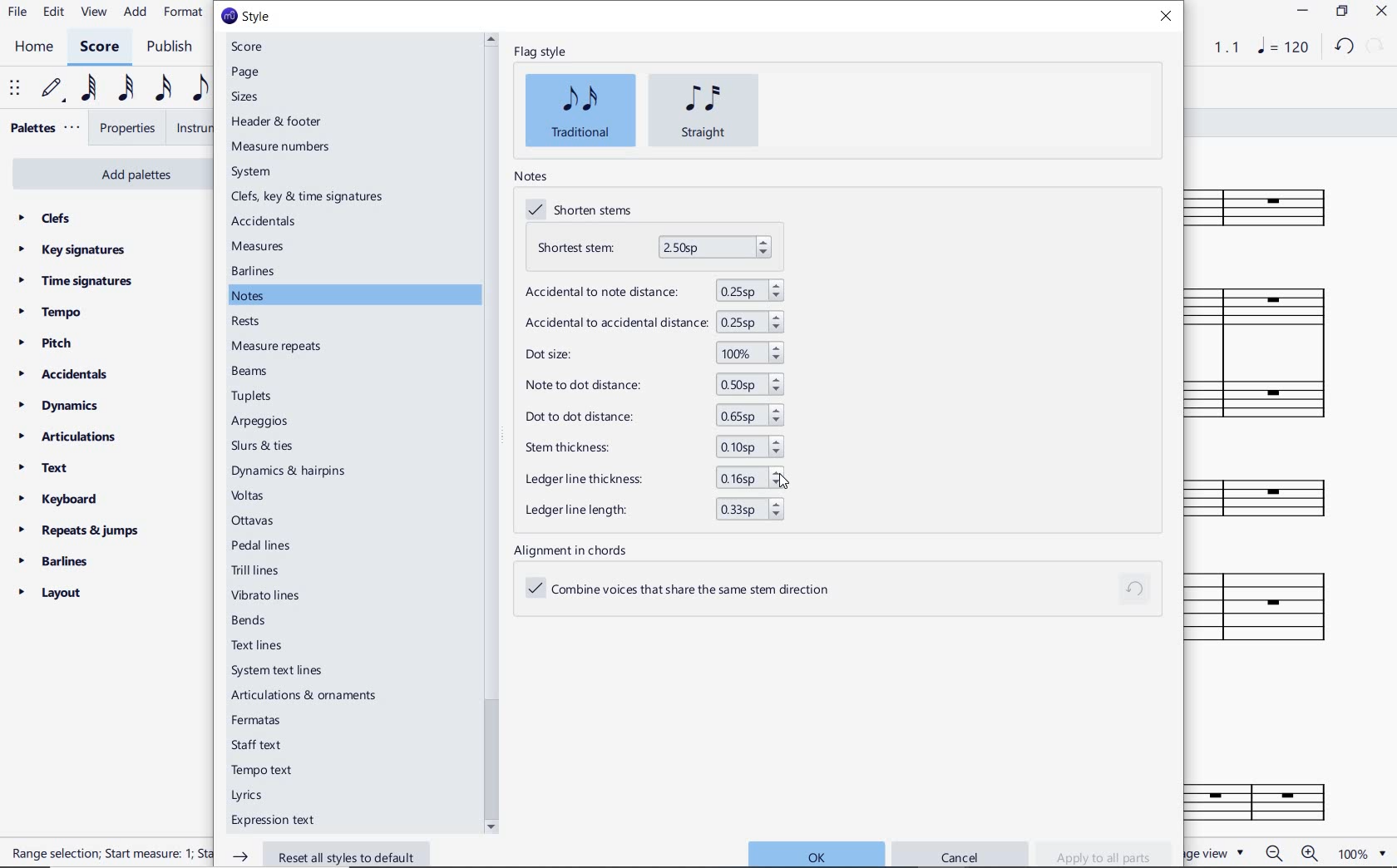  What do you see at coordinates (254, 272) in the screenshot?
I see `barlines` at bounding box center [254, 272].